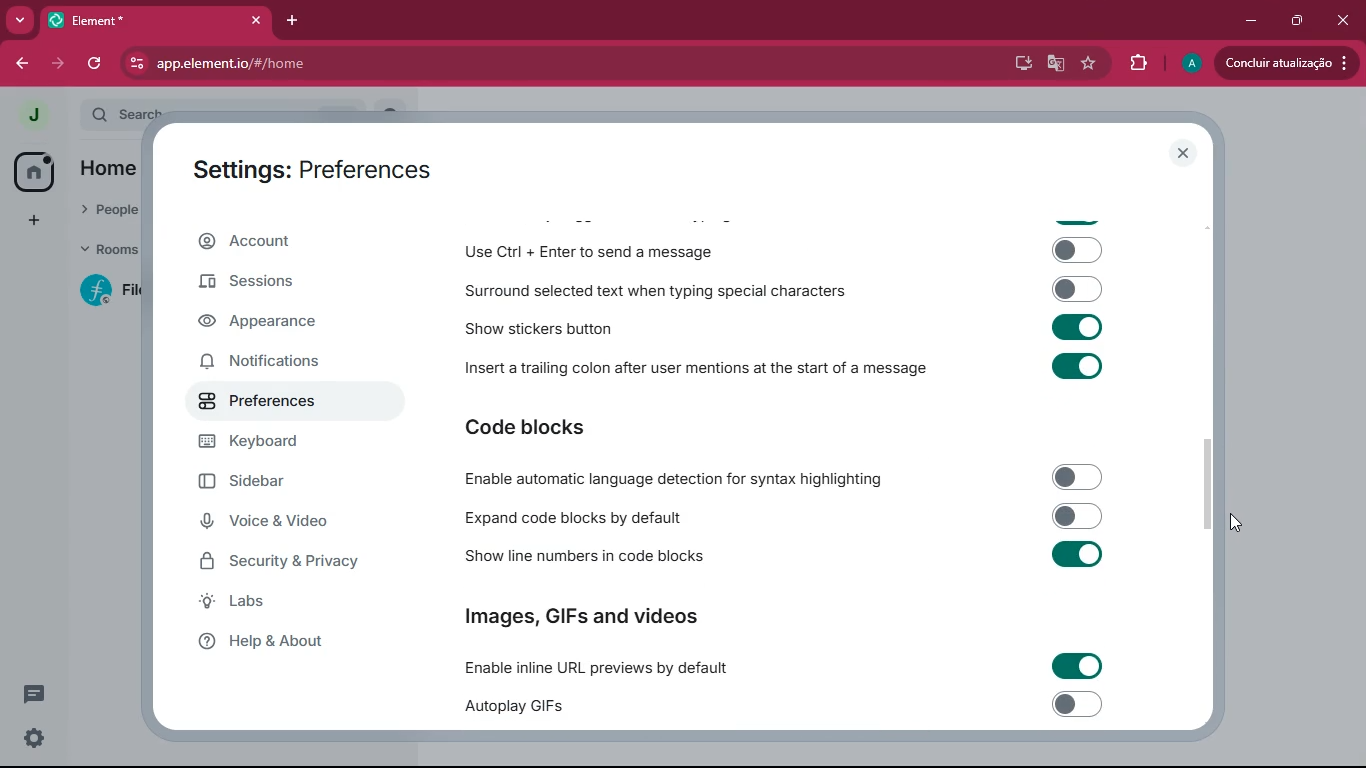 The width and height of the screenshot is (1366, 768). Describe the element at coordinates (323, 63) in the screenshot. I see `app.element.io/#/home` at that location.